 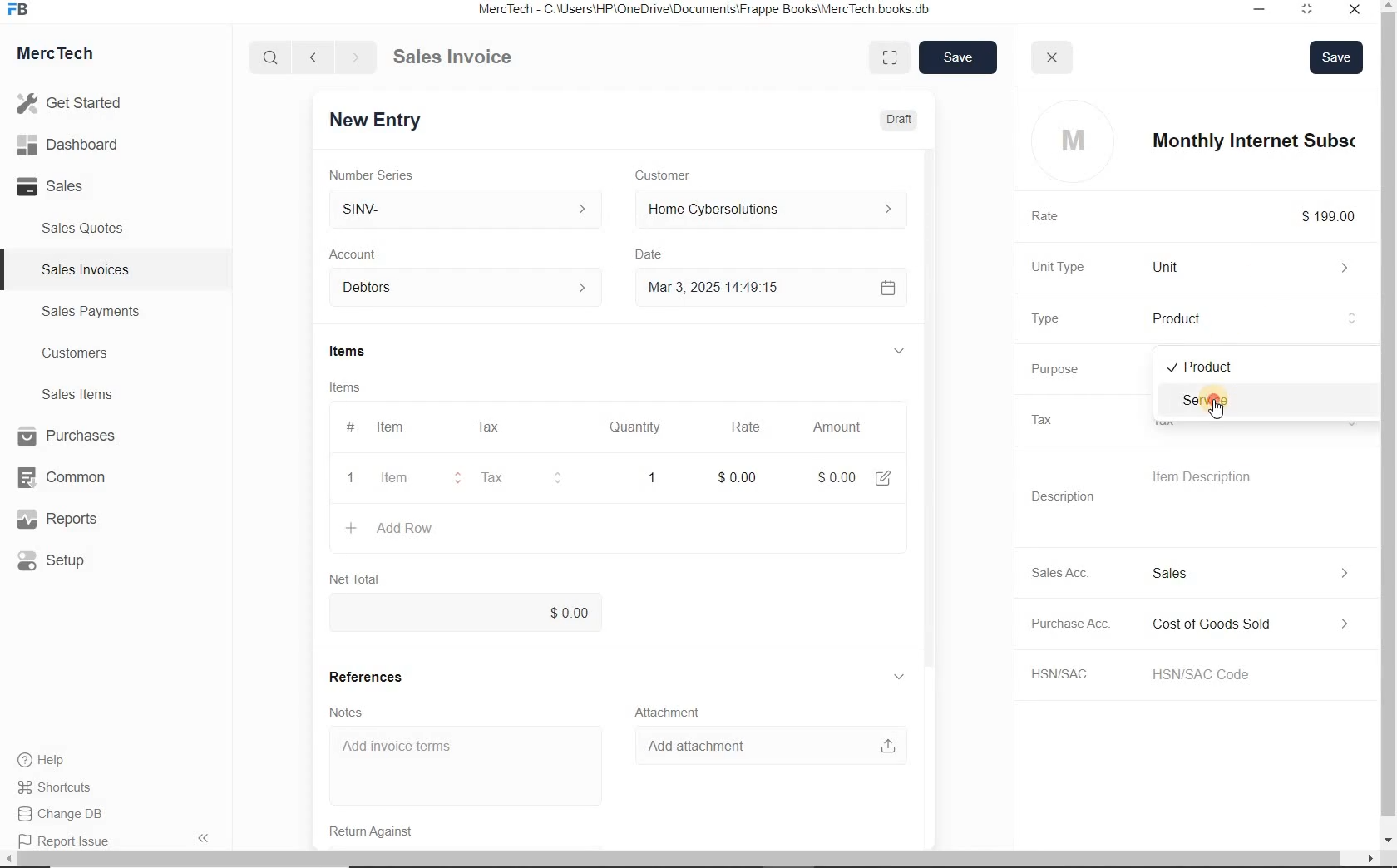 What do you see at coordinates (770, 745) in the screenshot?
I see `Add attachment` at bounding box center [770, 745].